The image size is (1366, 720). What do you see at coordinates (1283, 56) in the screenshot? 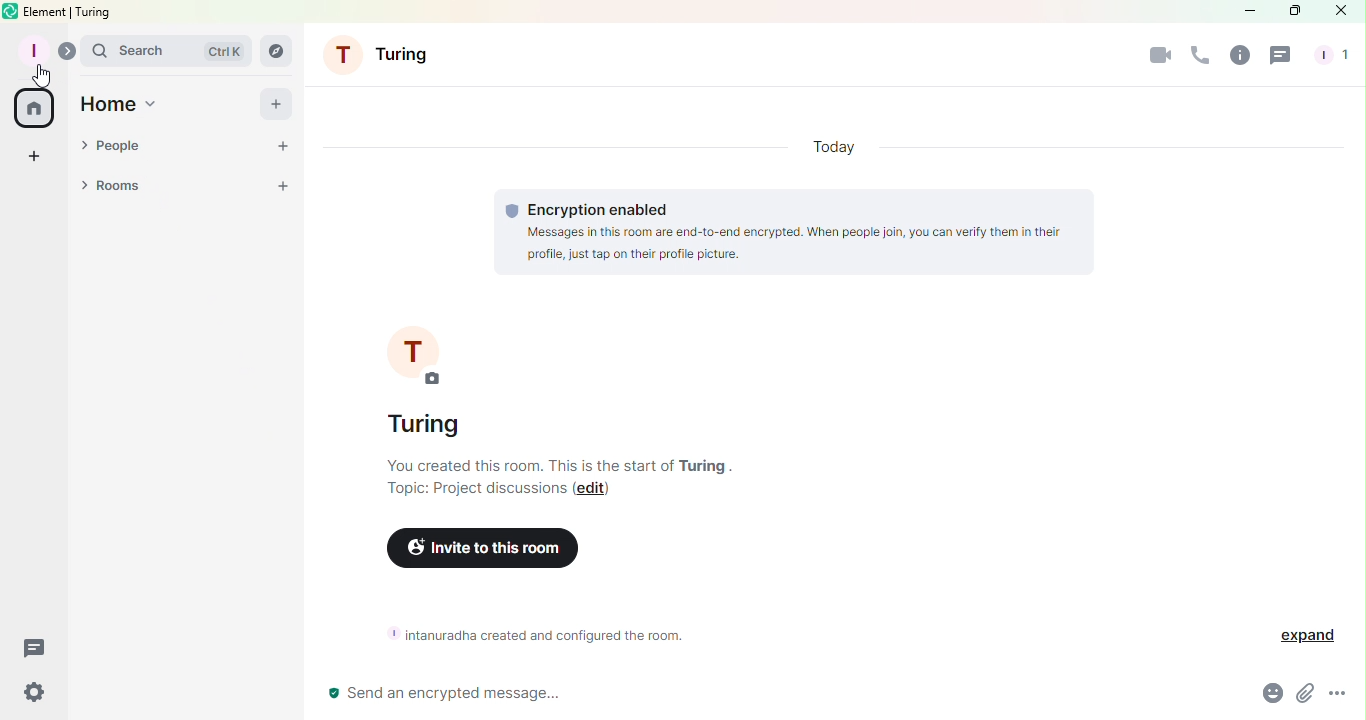
I see `Threads` at bounding box center [1283, 56].